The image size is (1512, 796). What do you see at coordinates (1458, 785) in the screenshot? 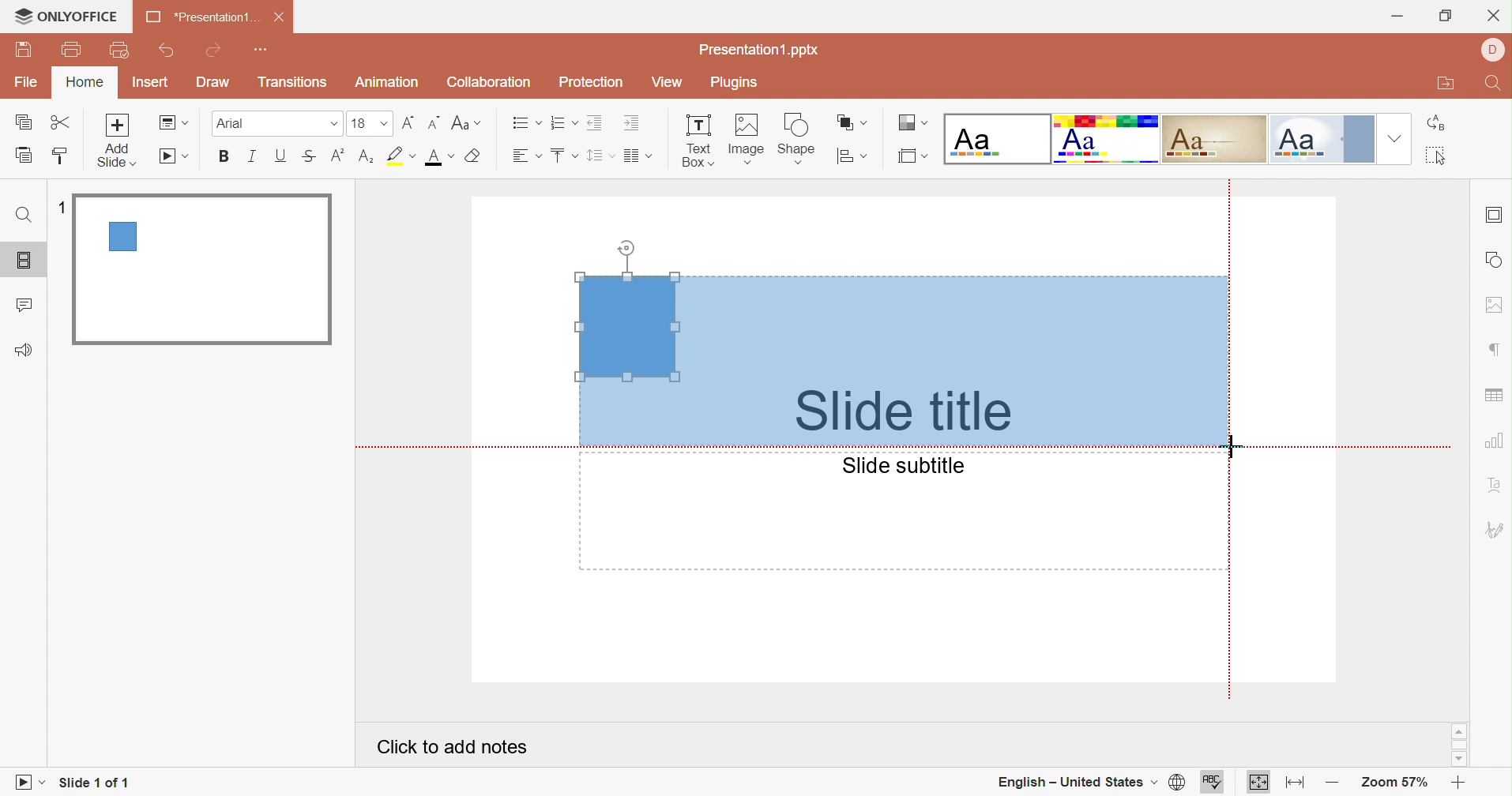
I see `Zoom in` at bounding box center [1458, 785].